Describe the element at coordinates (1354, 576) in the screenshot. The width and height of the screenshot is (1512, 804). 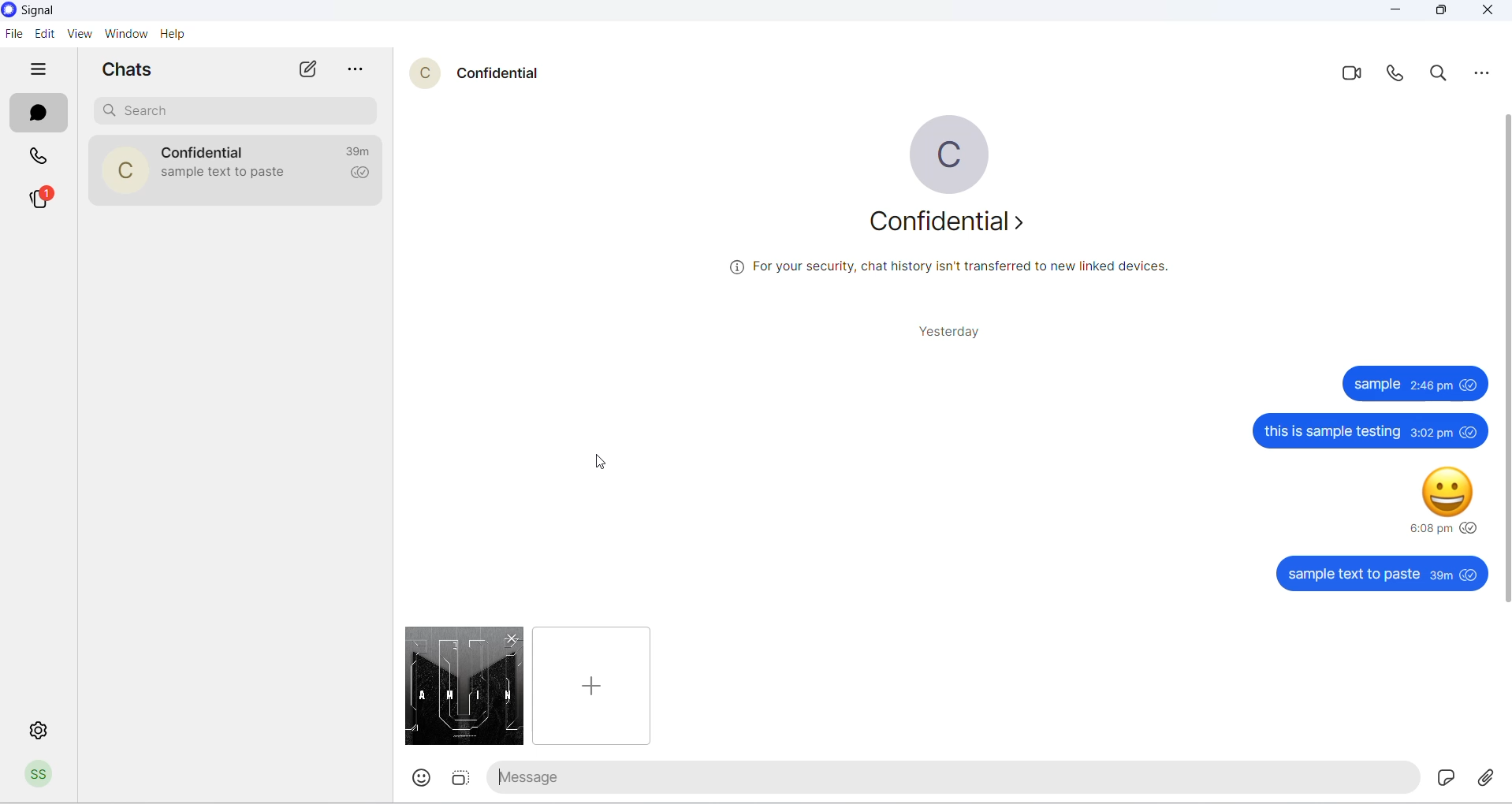
I see `sample text to paste` at that location.